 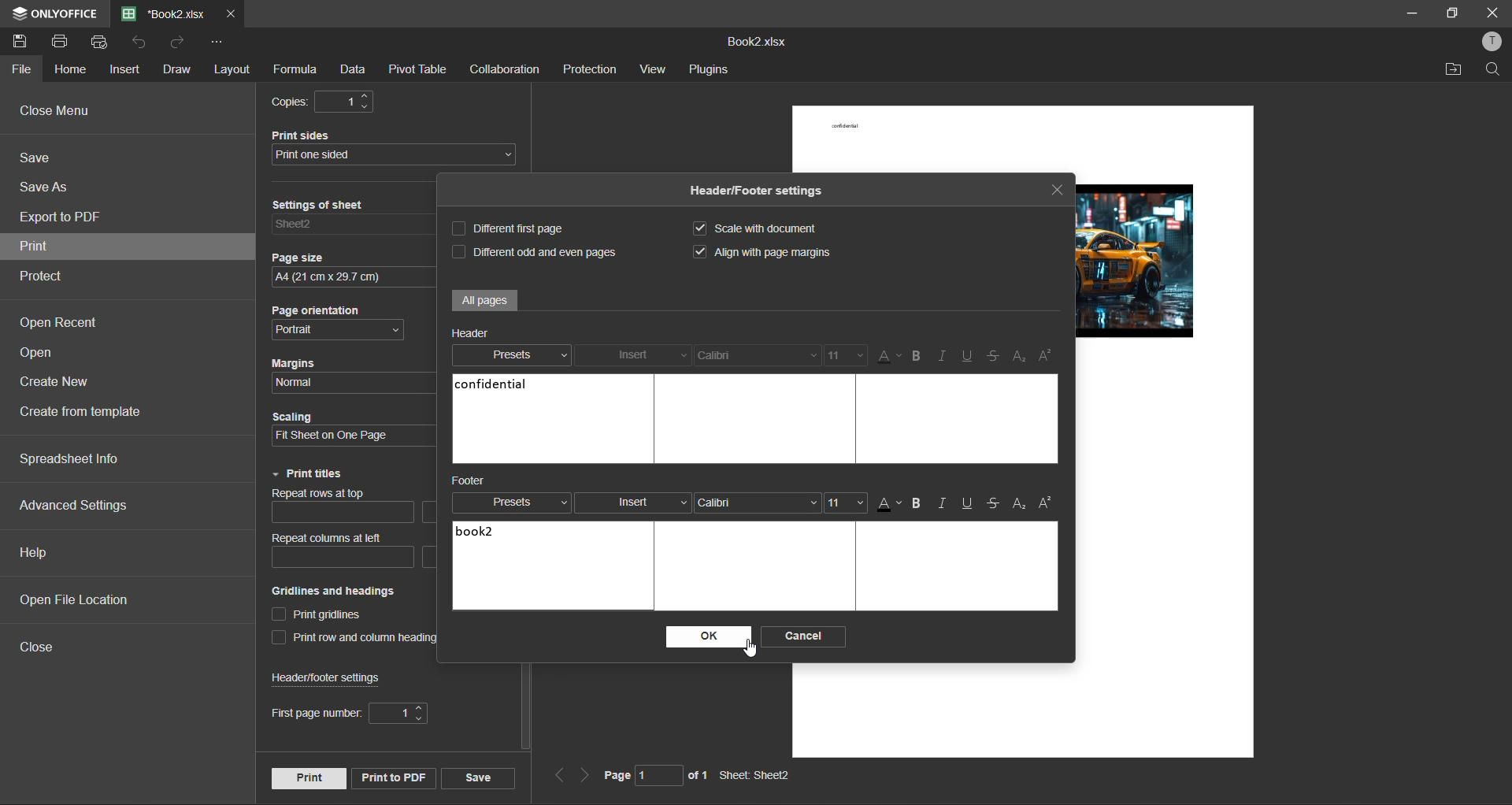 I want to click on font size, so click(x=847, y=355).